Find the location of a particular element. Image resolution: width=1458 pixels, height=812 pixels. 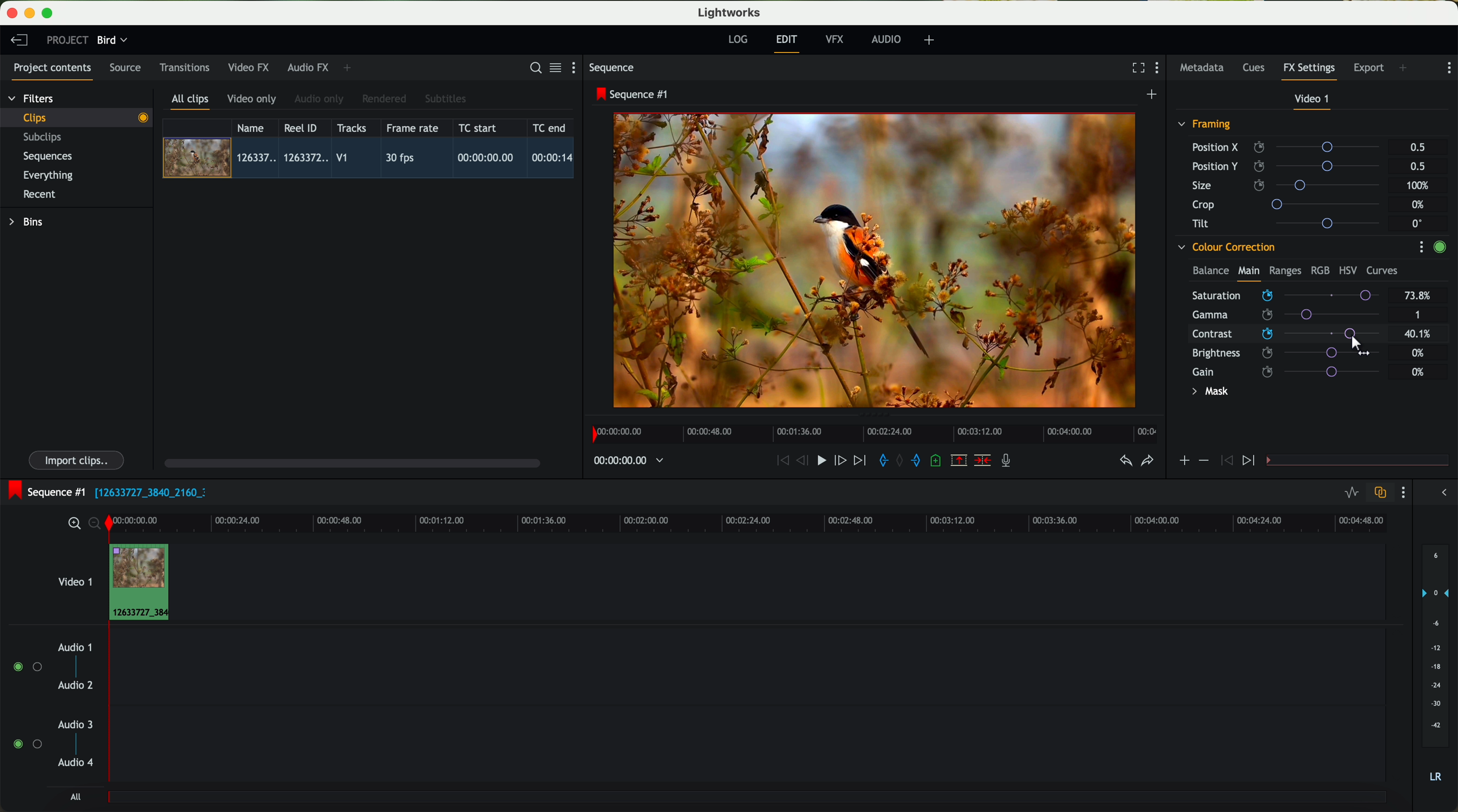

size is located at coordinates (1289, 186).